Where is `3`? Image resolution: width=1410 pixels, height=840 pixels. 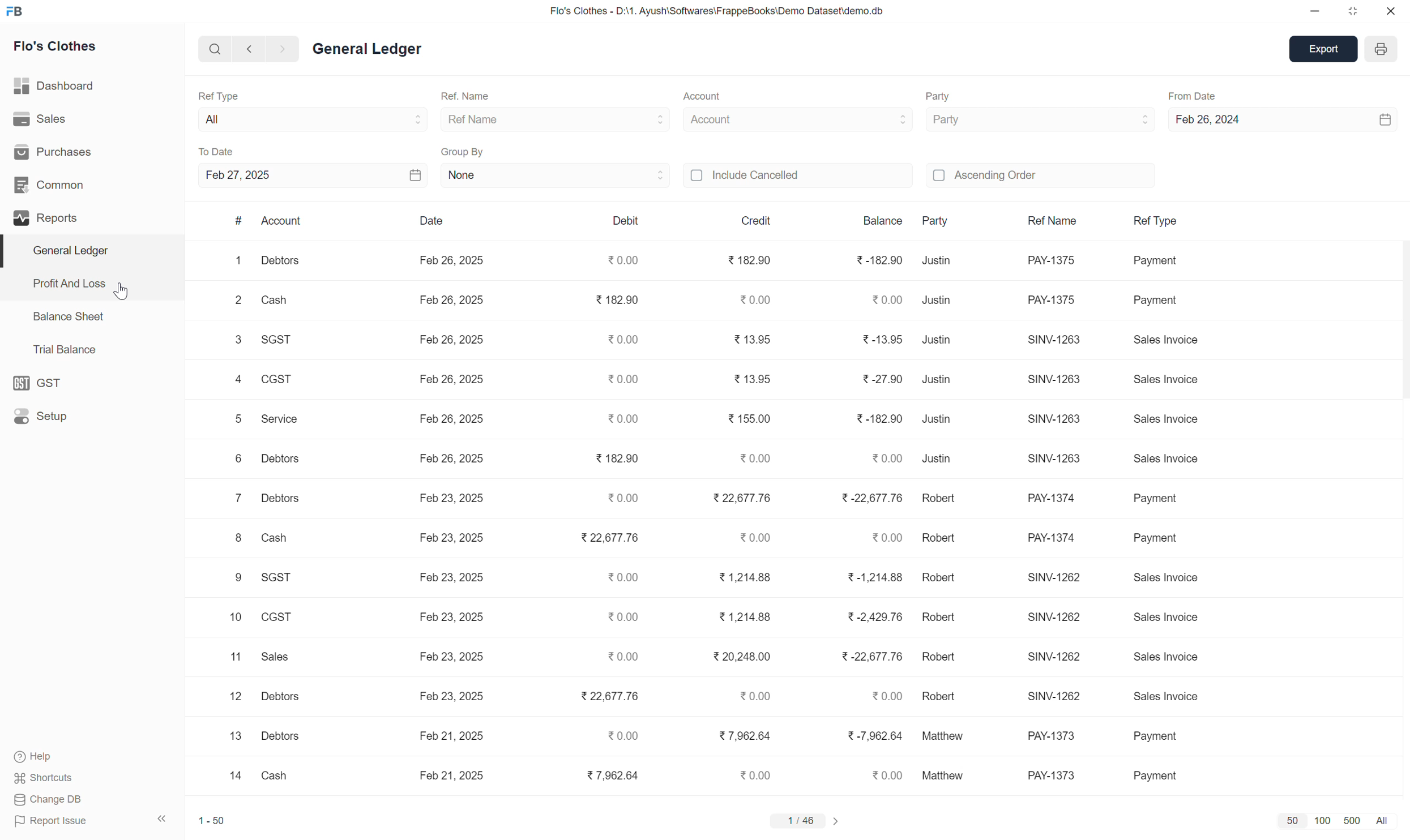
3 is located at coordinates (236, 339).